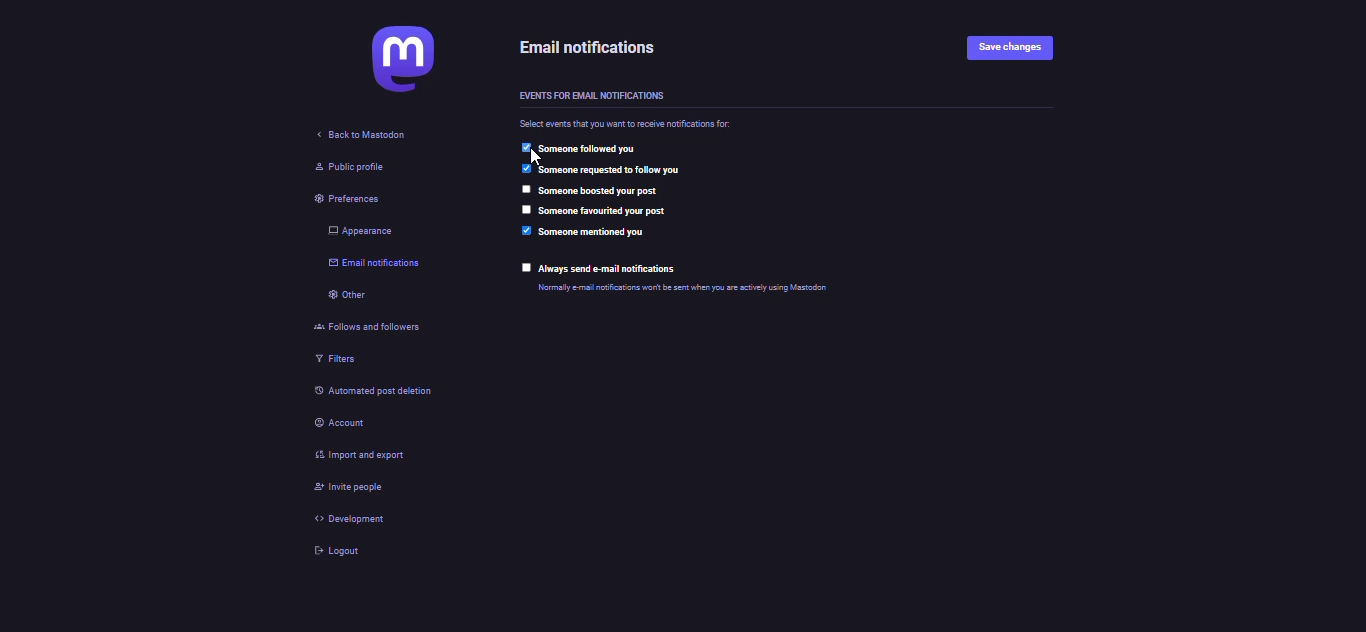 The image size is (1366, 632). What do you see at coordinates (628, 124) in the screenshot?
I see `select events` at bounding box center [628, 124].